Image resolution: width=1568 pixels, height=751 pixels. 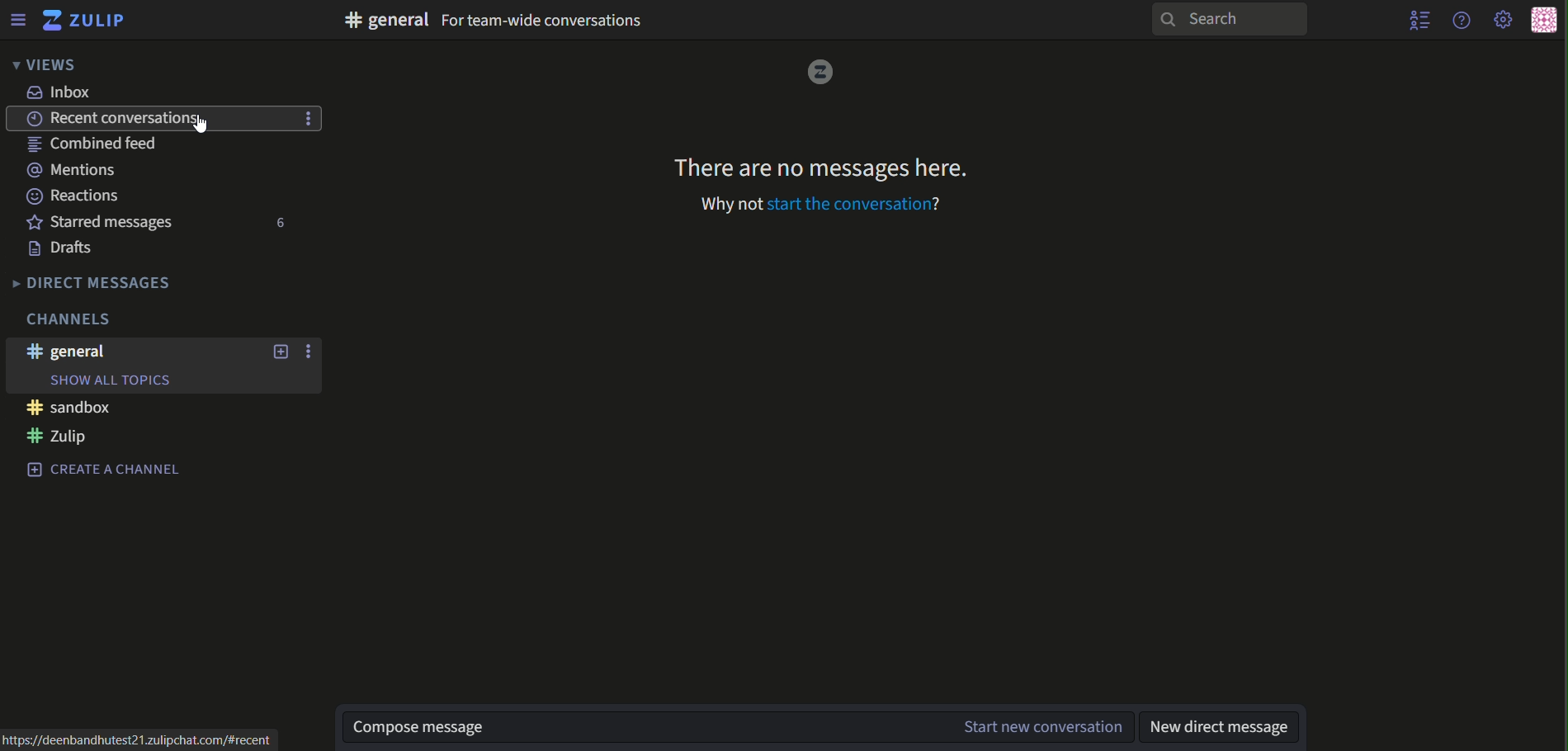 I want to click on main menu, so click(x=1504, y=21).